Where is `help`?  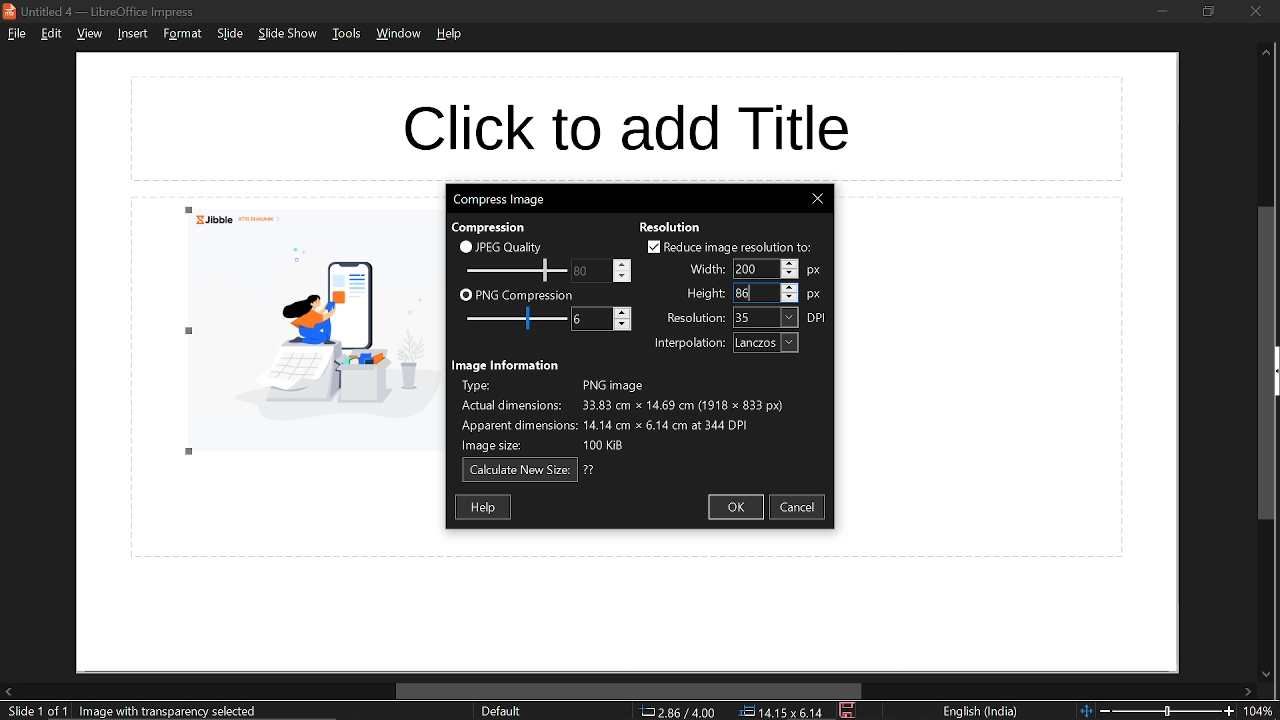
help is located at coordinates (451, 34).